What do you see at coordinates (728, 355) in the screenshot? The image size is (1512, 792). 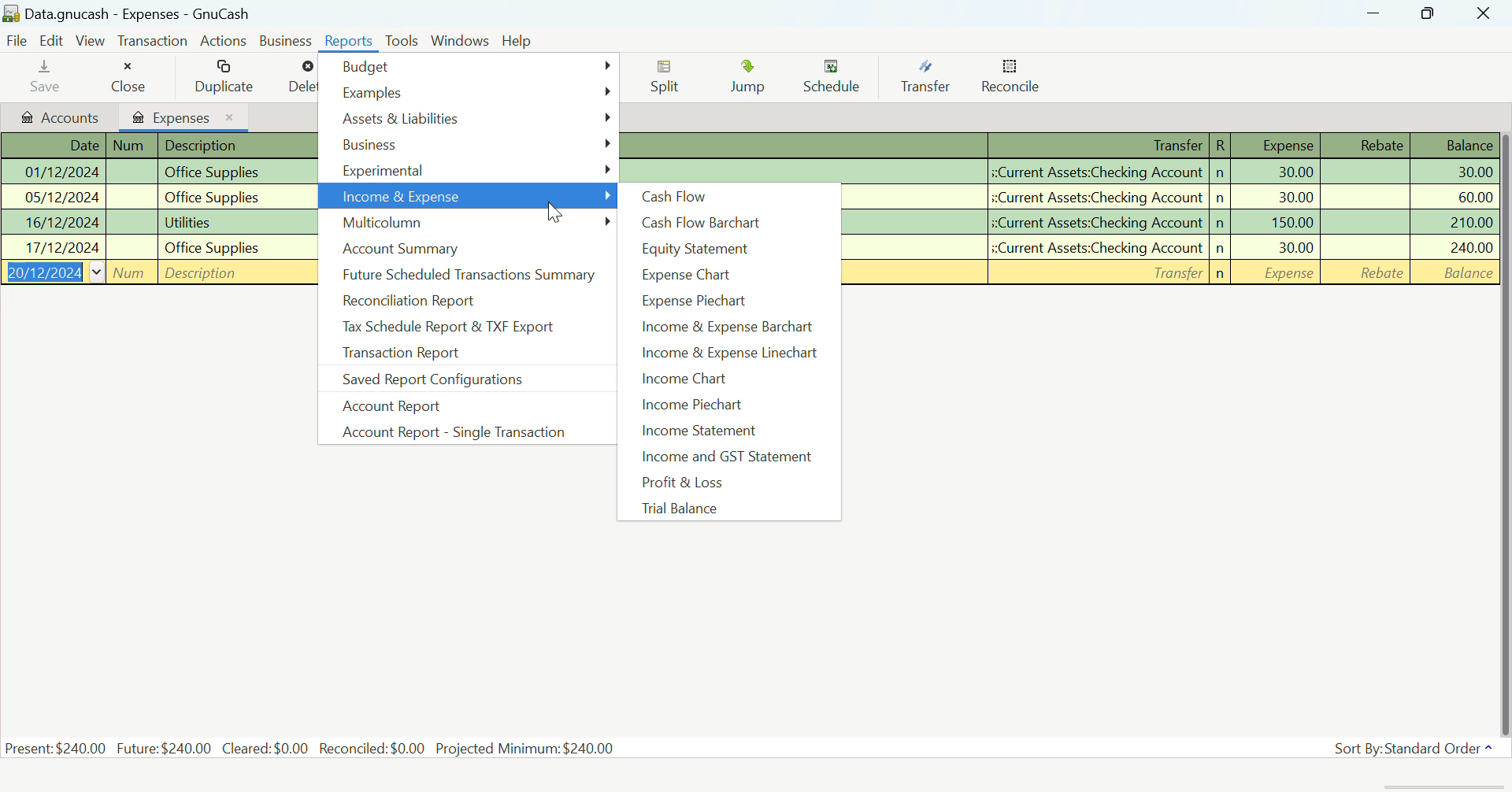 I see `Income & Expense Linechart` at bounding box center [728, 355].